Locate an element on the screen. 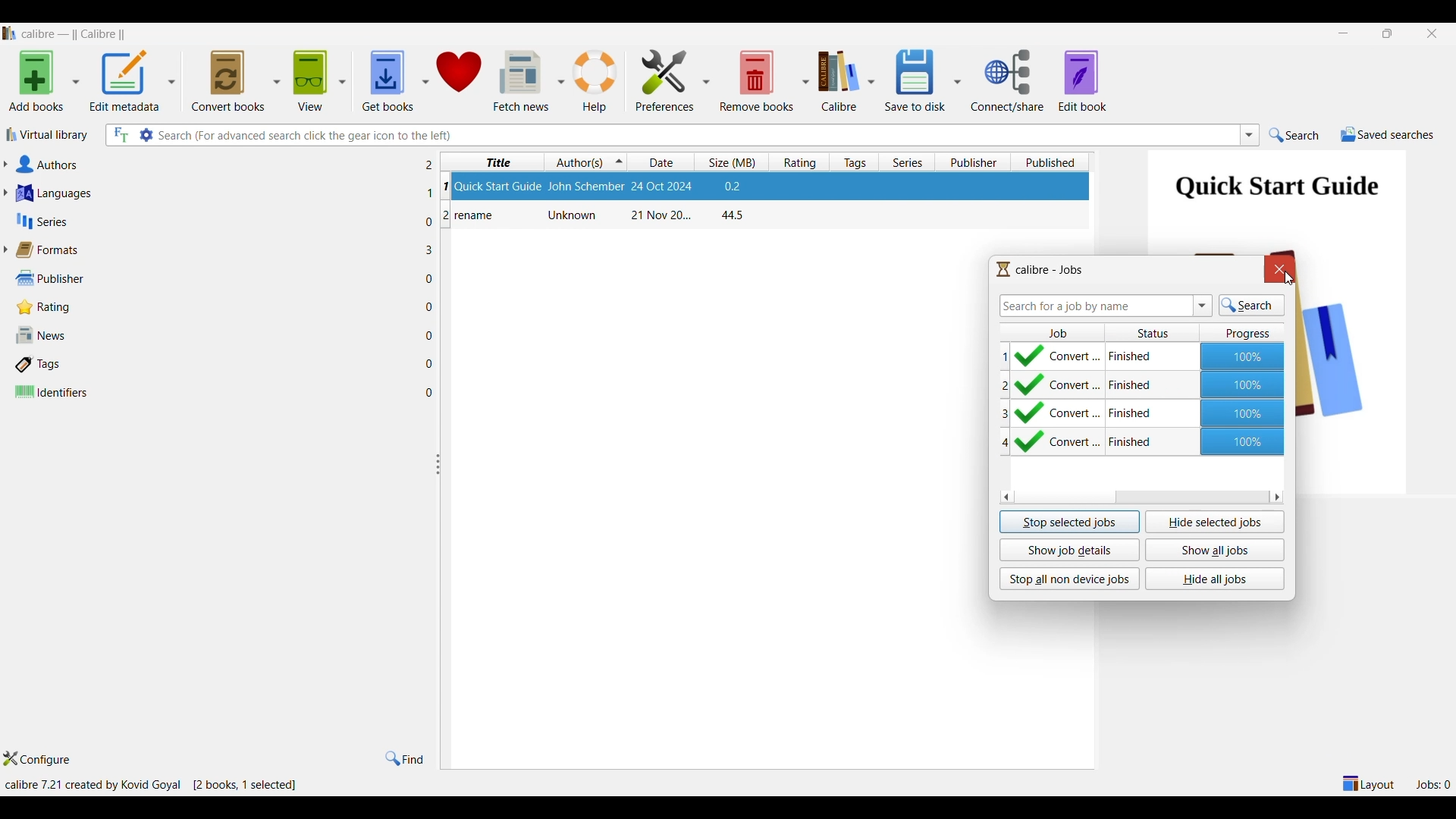  Book: rename is located at coordinates (597, 217).